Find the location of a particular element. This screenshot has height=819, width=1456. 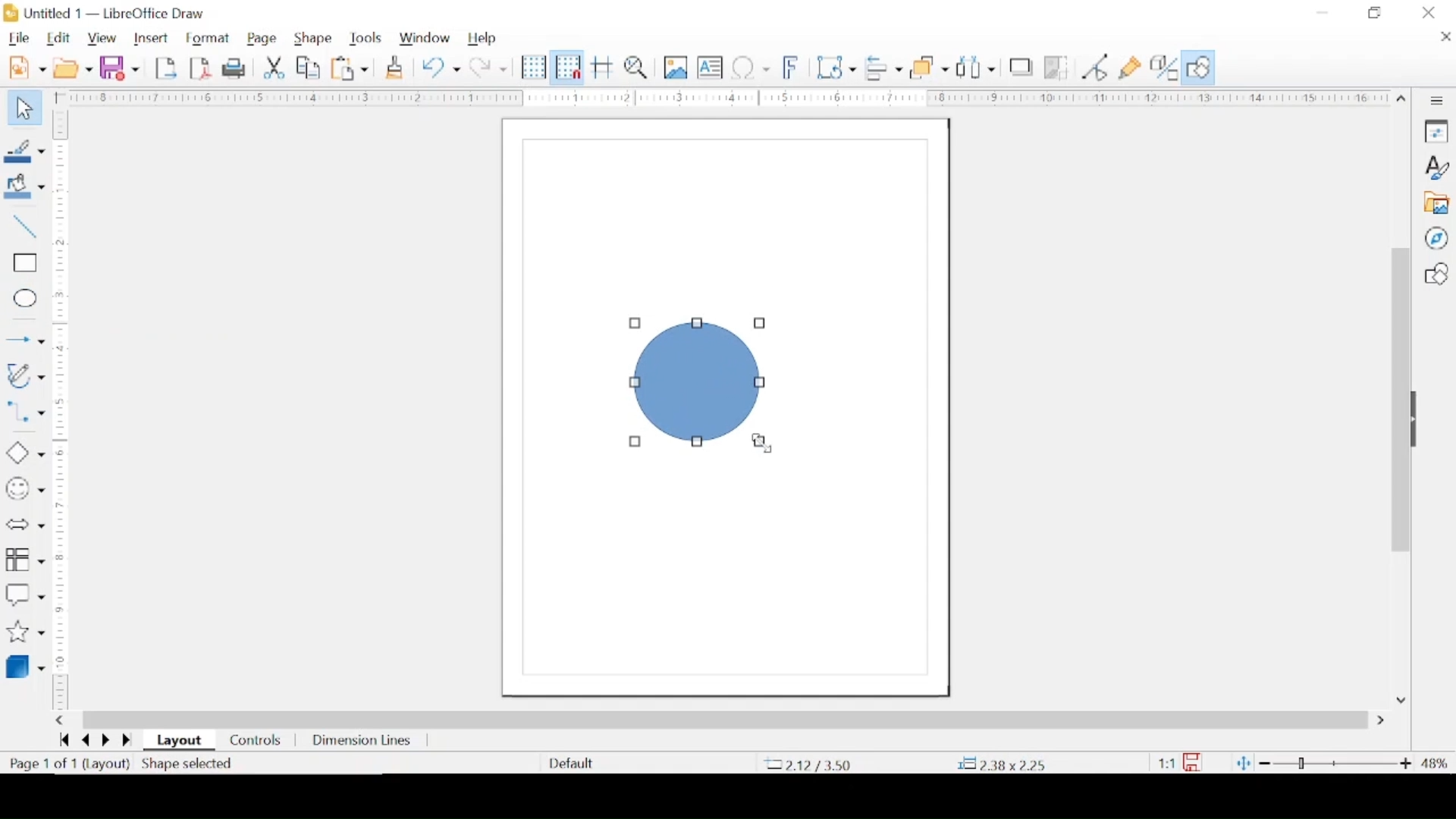

this document has been modified is located at coordinates (1182, 761).